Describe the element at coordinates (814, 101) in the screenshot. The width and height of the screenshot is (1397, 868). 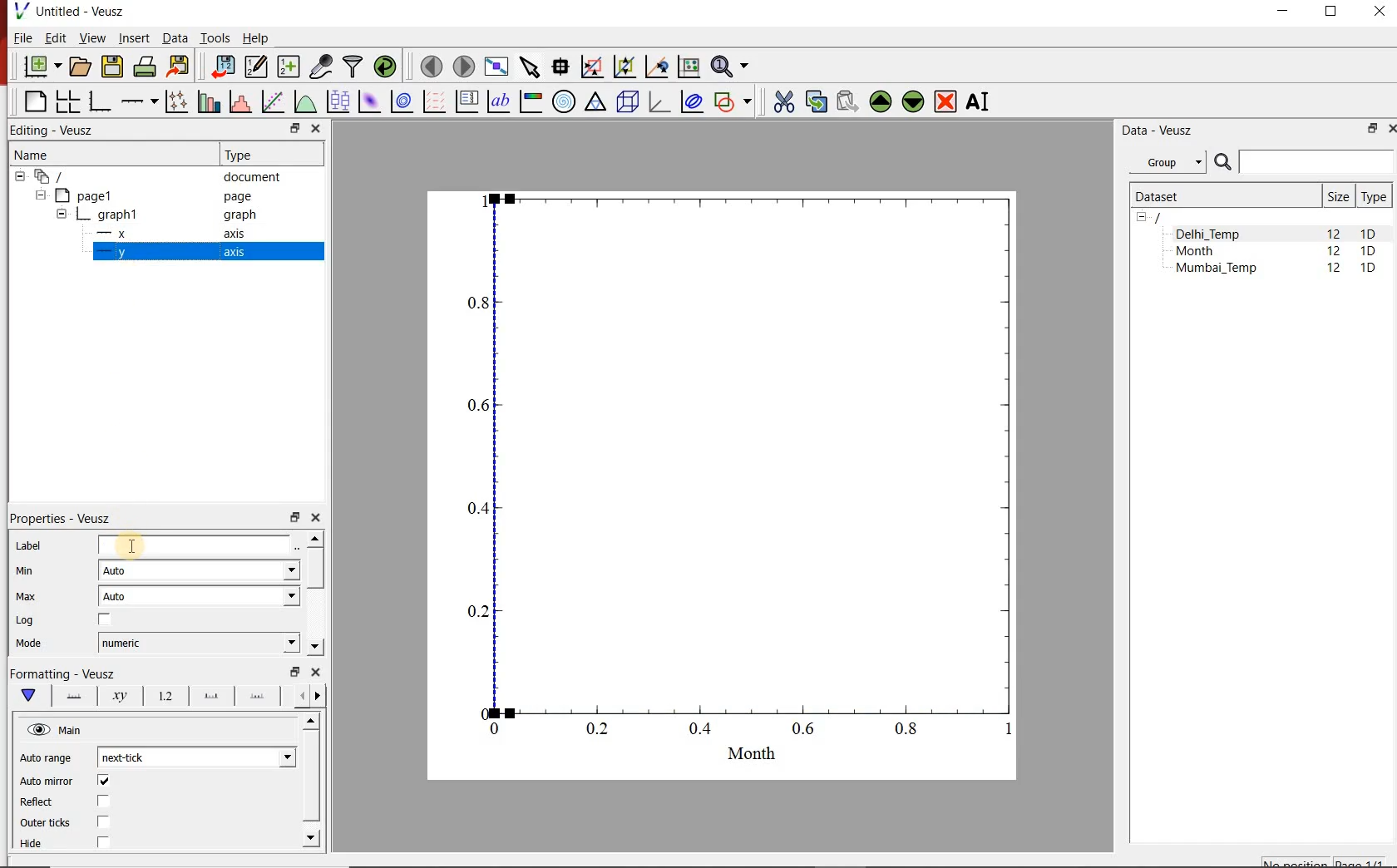
I see `copy the selected widget` at that location.